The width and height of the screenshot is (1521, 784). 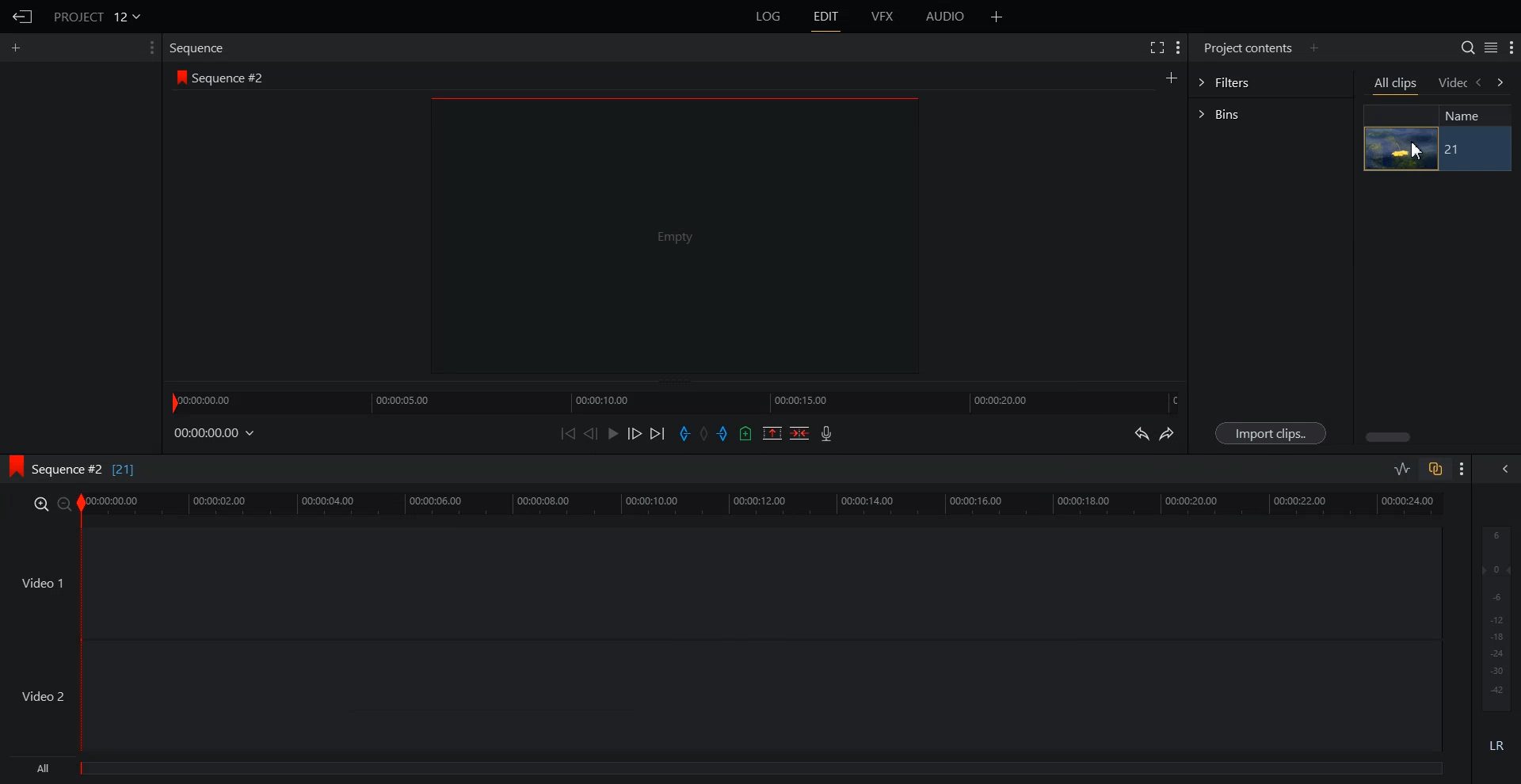 I want to click on Delete, so click(x=799, y=432).